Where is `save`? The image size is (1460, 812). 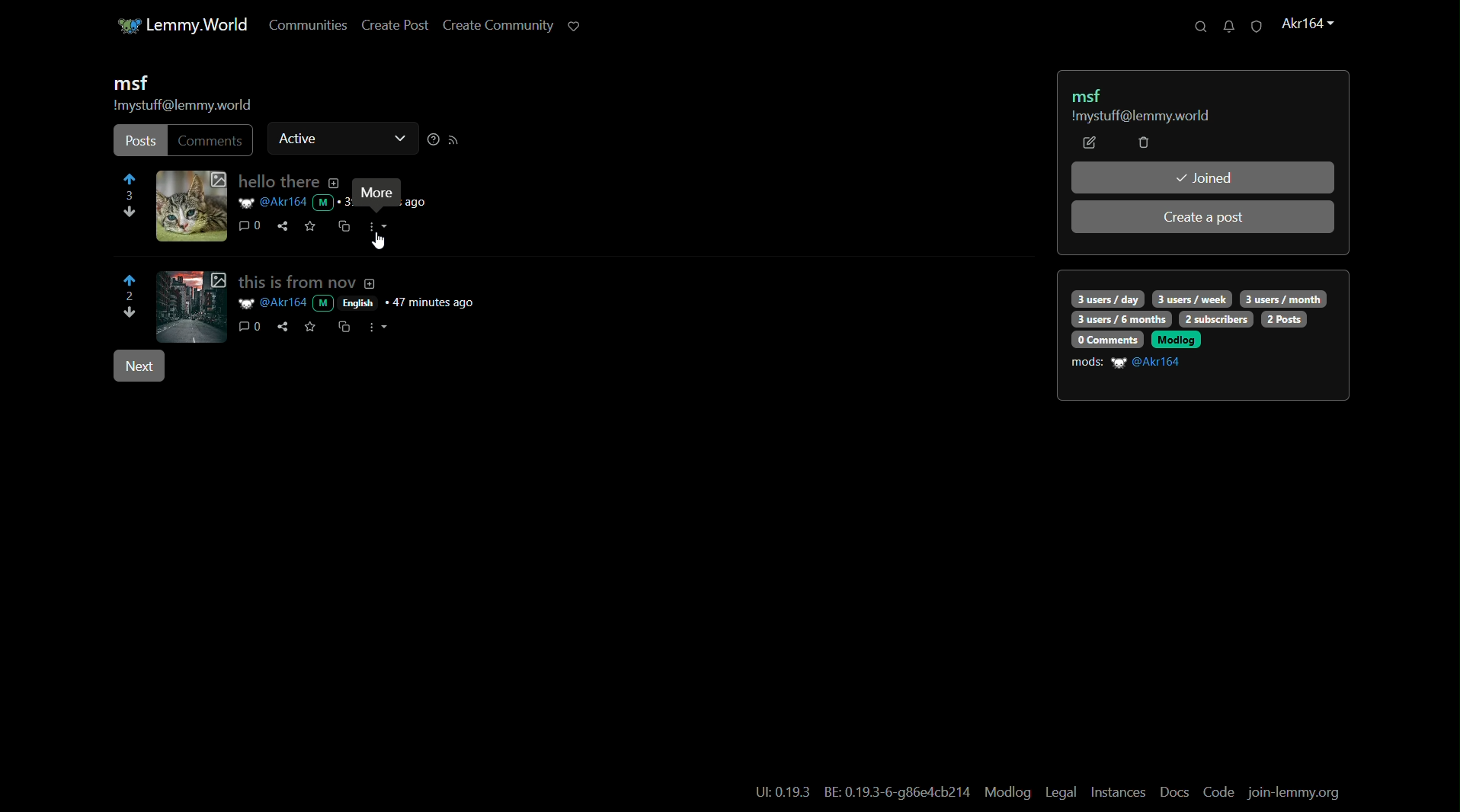 save is located at coordinates (309, 326).